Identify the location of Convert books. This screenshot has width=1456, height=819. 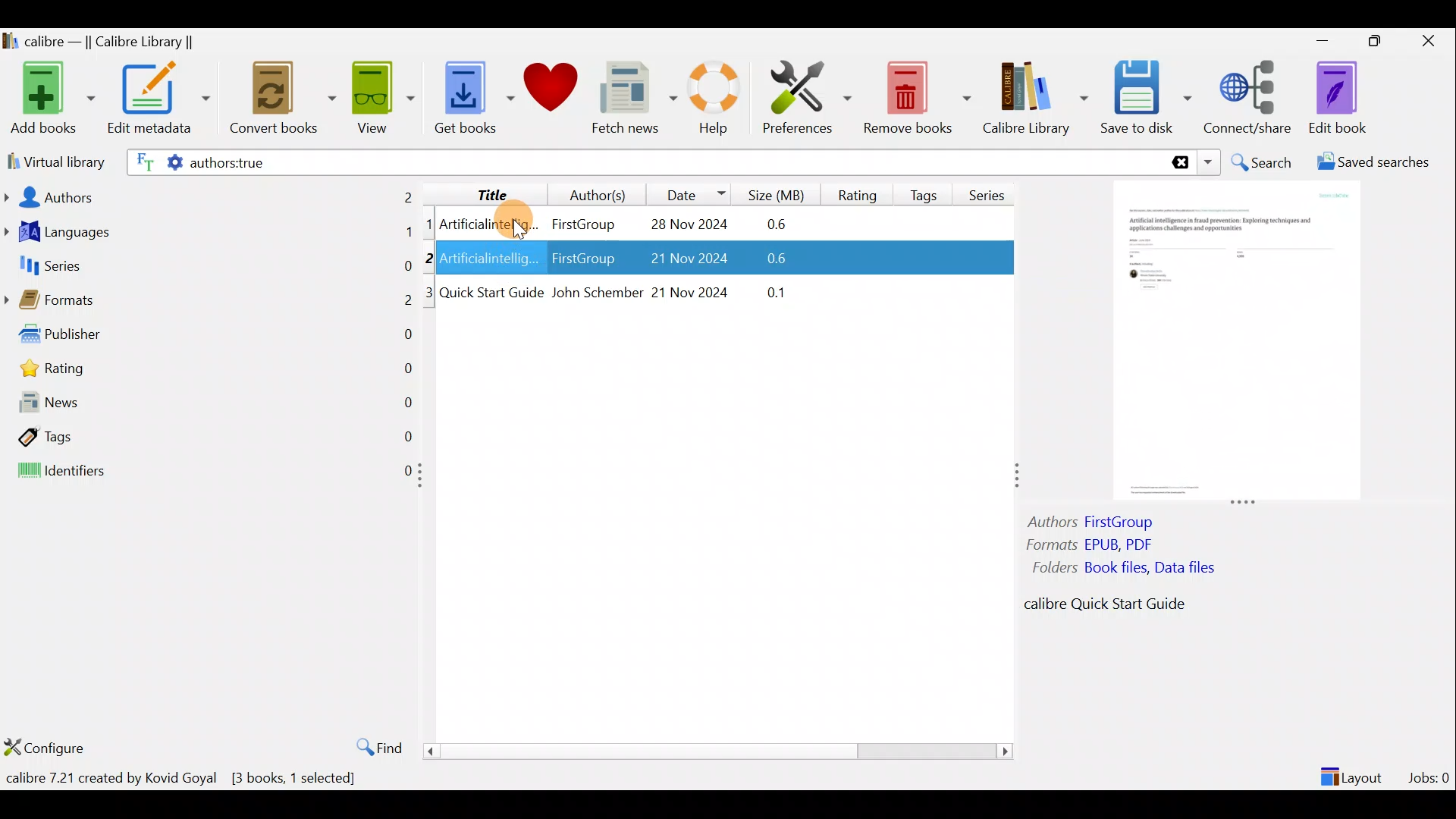
(283, 99).